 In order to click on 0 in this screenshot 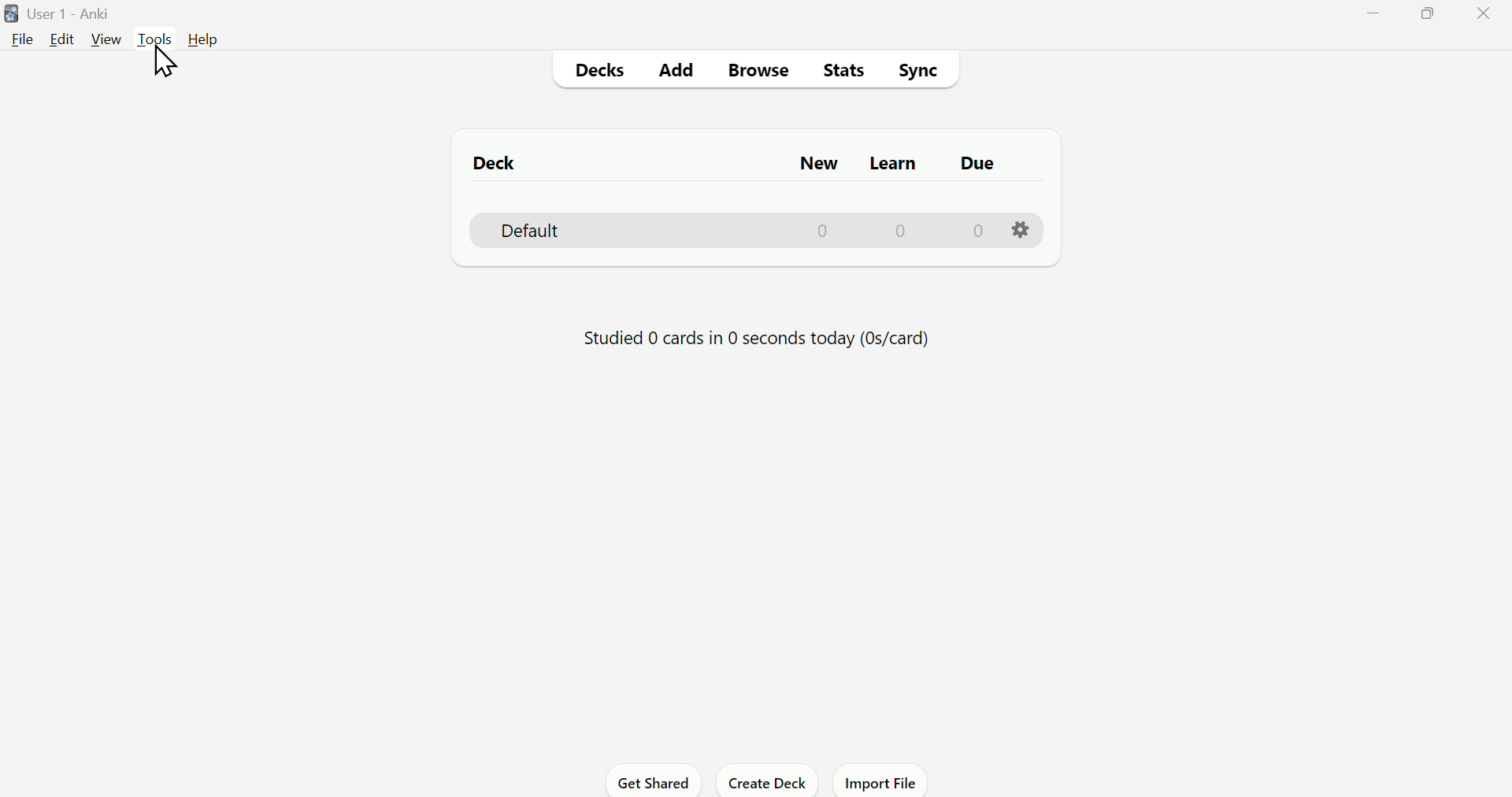, I will do `click(902, 230)`.